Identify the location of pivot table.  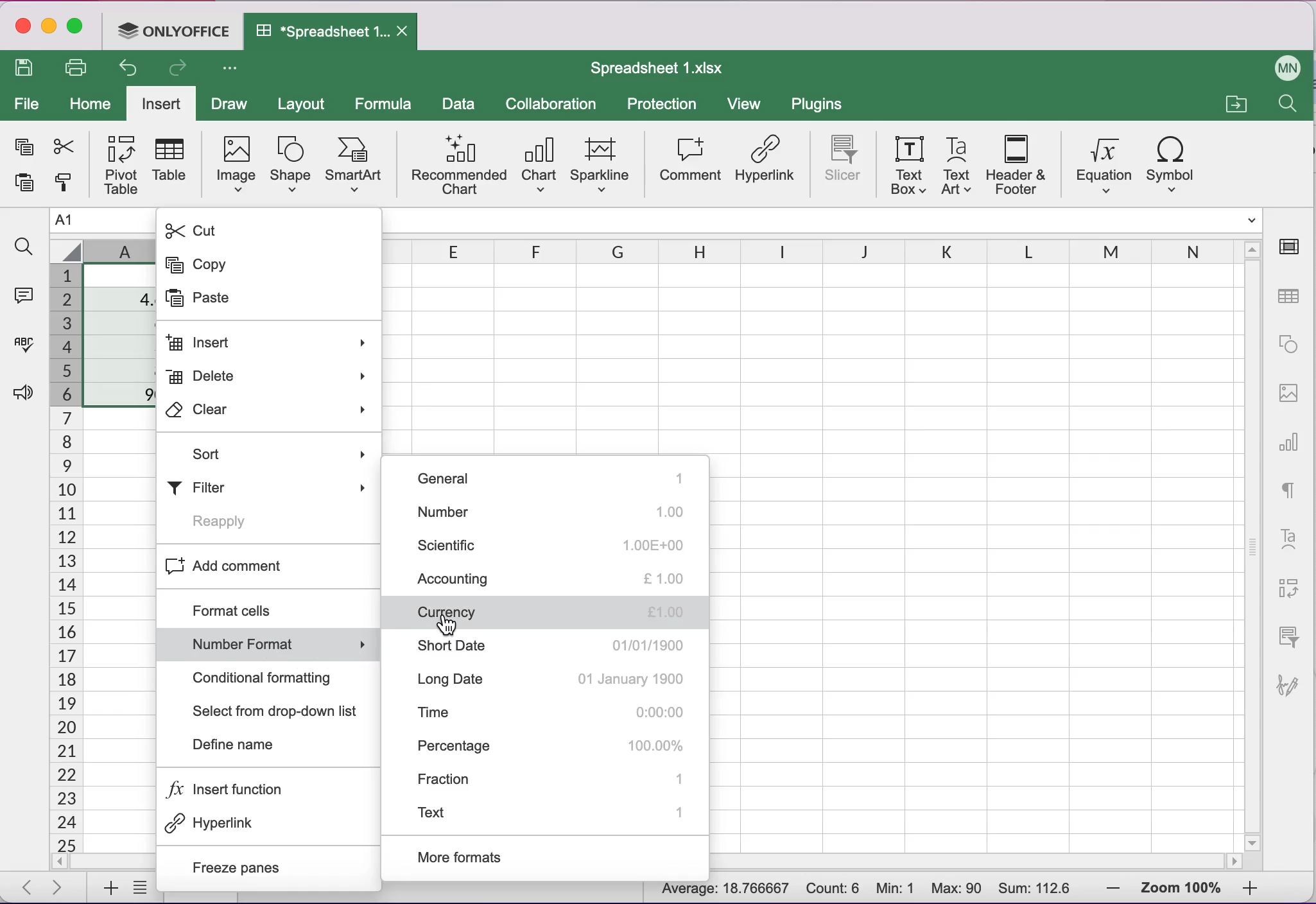
(117, 164).